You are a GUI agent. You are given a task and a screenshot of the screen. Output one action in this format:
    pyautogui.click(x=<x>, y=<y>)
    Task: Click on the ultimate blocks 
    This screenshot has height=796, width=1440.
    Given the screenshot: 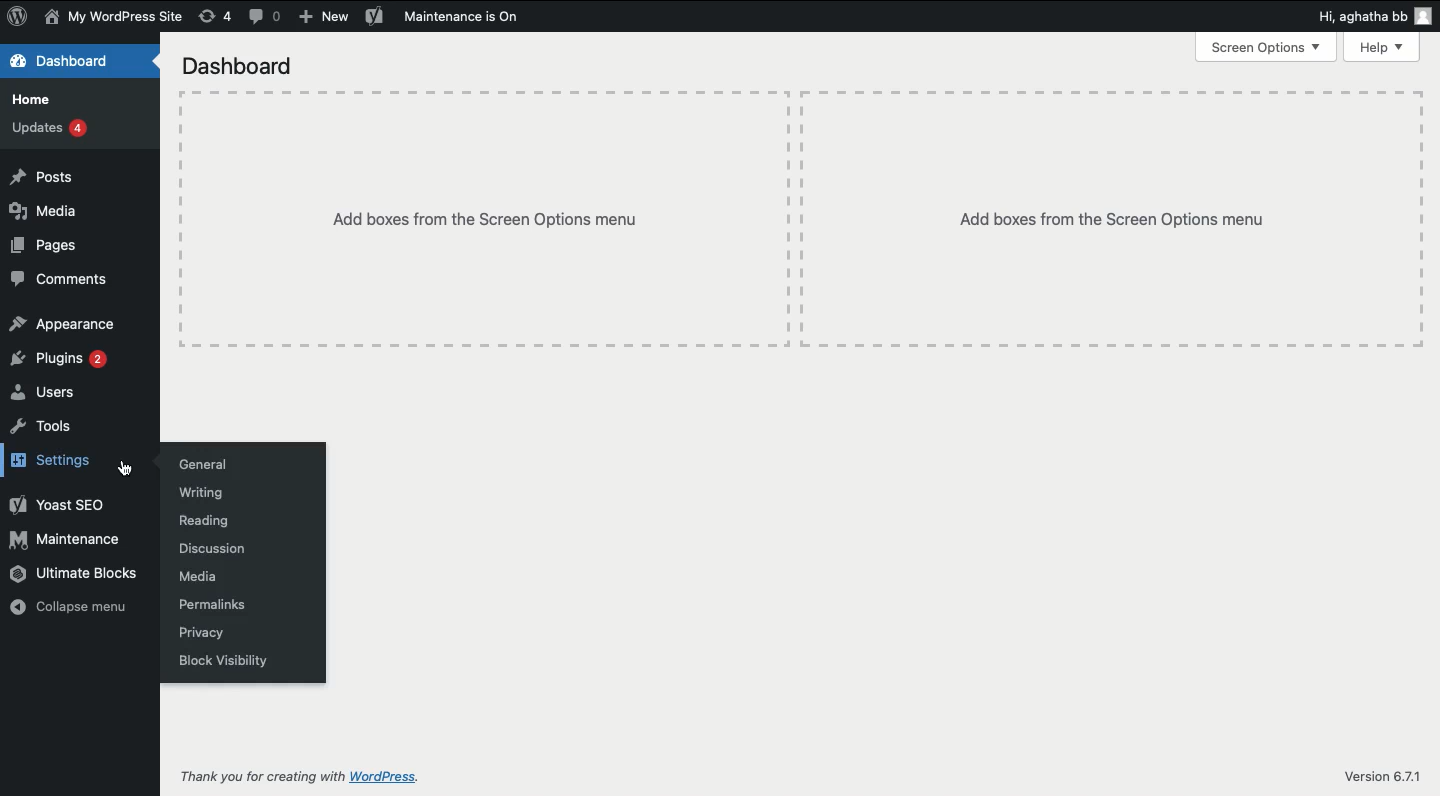 What is the action you would take?
    pyautogui.click(x=76, y=576)
    